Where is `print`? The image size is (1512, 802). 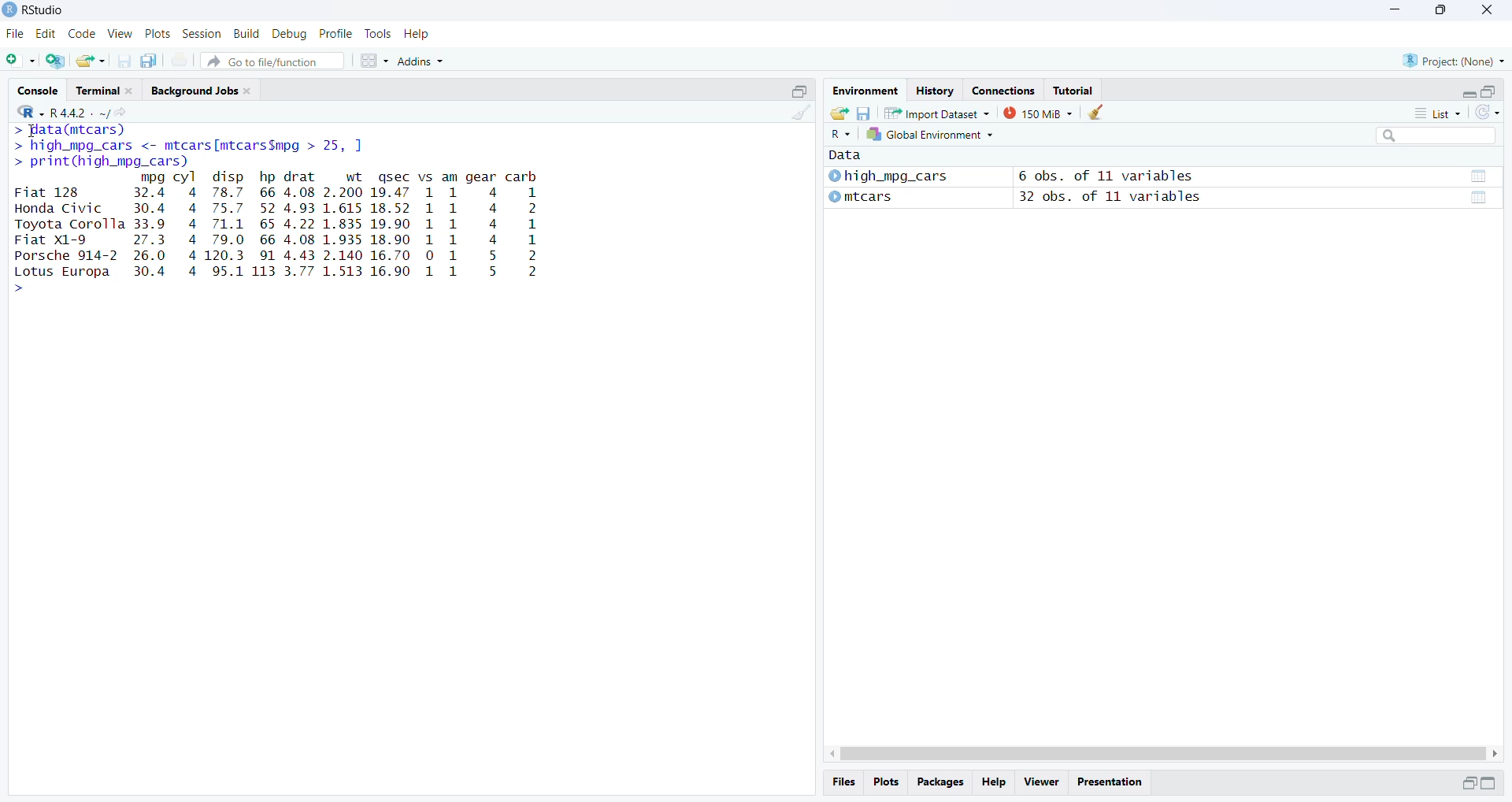 print is located at coordinates (180, 60).